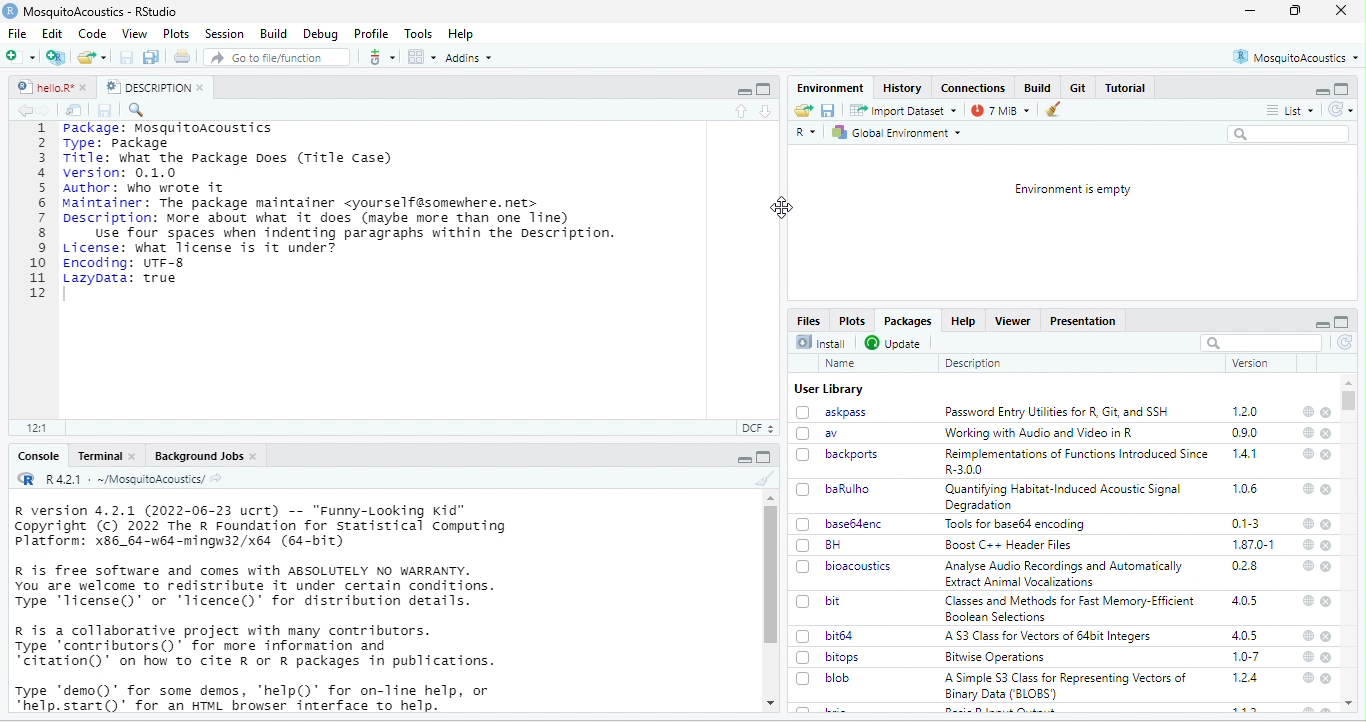 The height and width of the screenshot is (722, 1366). I want to click on 12:1, so click(40, 427).